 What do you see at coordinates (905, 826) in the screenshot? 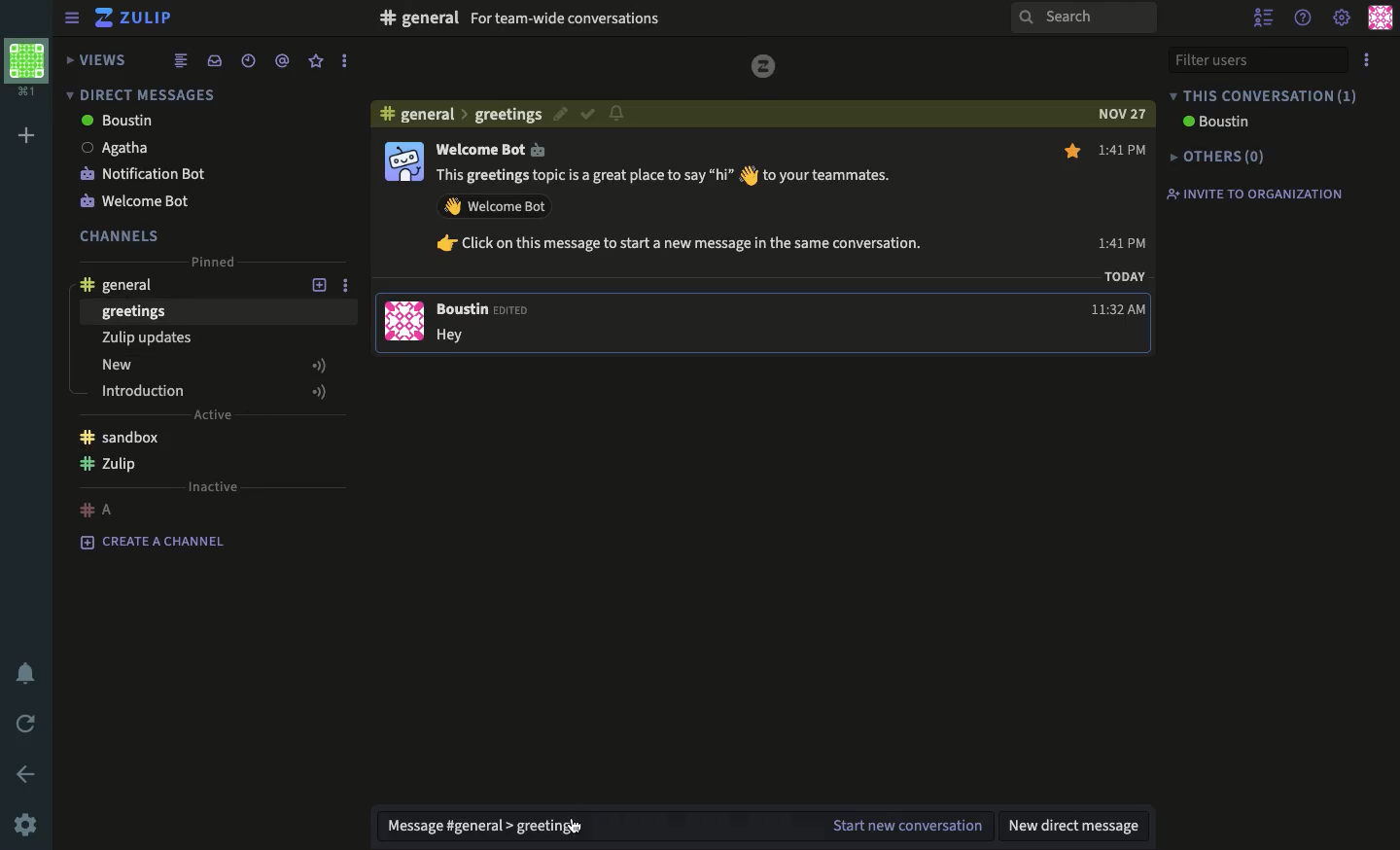
I see `start new conversation` at bounding box center [905, 826].